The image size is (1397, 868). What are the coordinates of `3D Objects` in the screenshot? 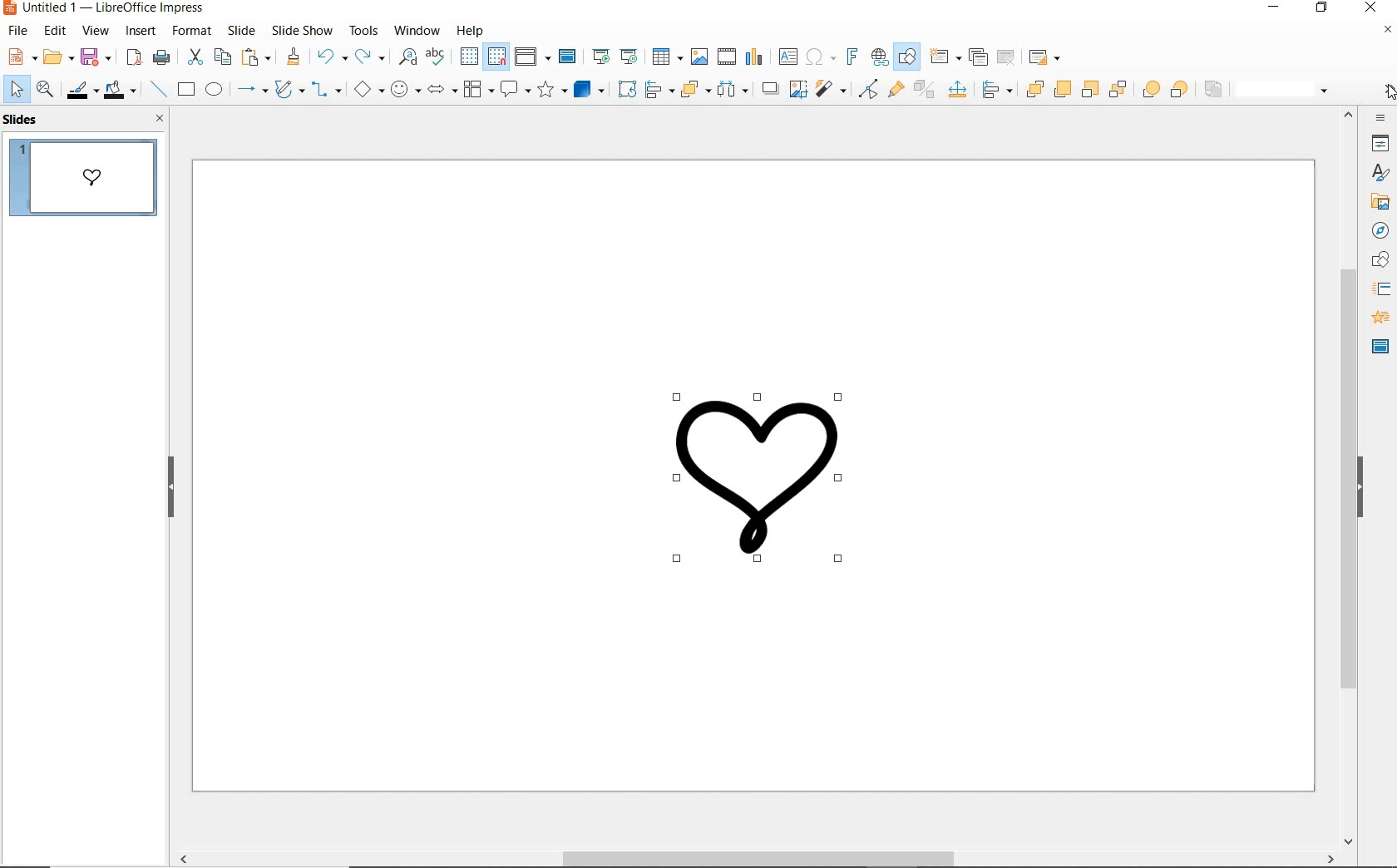 It's located at (590, 89).